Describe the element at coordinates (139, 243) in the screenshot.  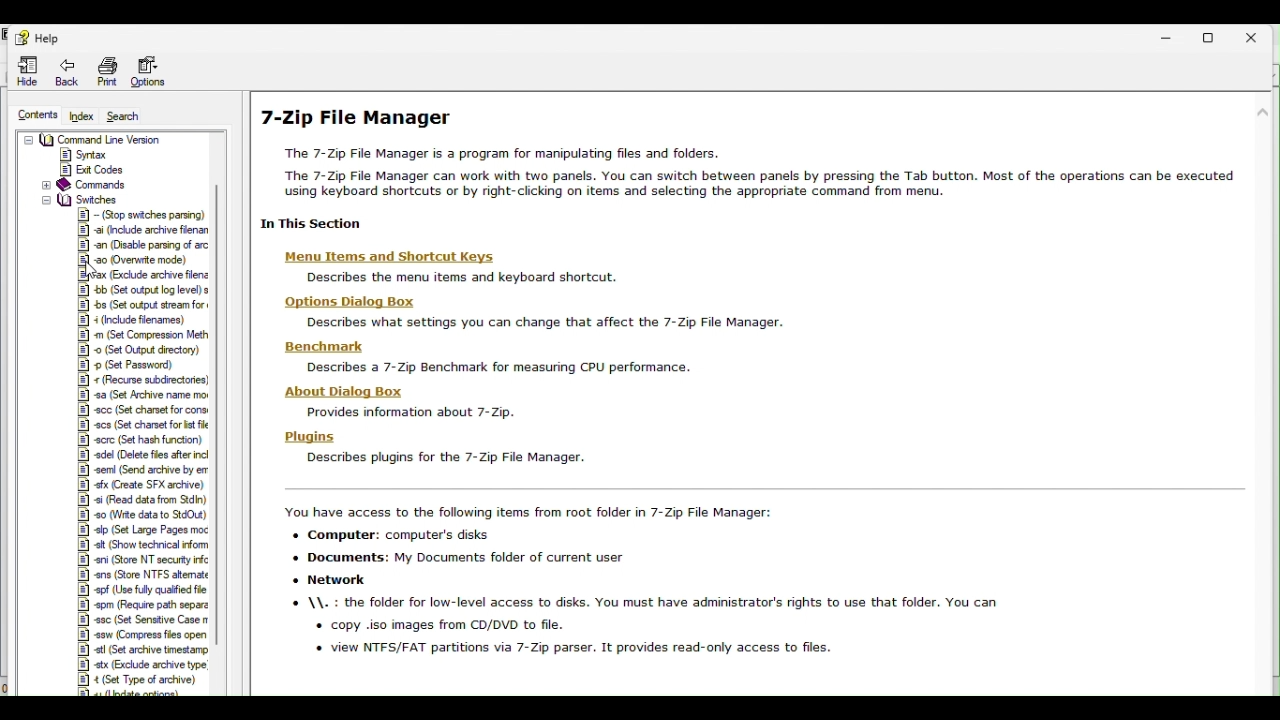
I see `#) an (Disable parsing of arc` at that location.